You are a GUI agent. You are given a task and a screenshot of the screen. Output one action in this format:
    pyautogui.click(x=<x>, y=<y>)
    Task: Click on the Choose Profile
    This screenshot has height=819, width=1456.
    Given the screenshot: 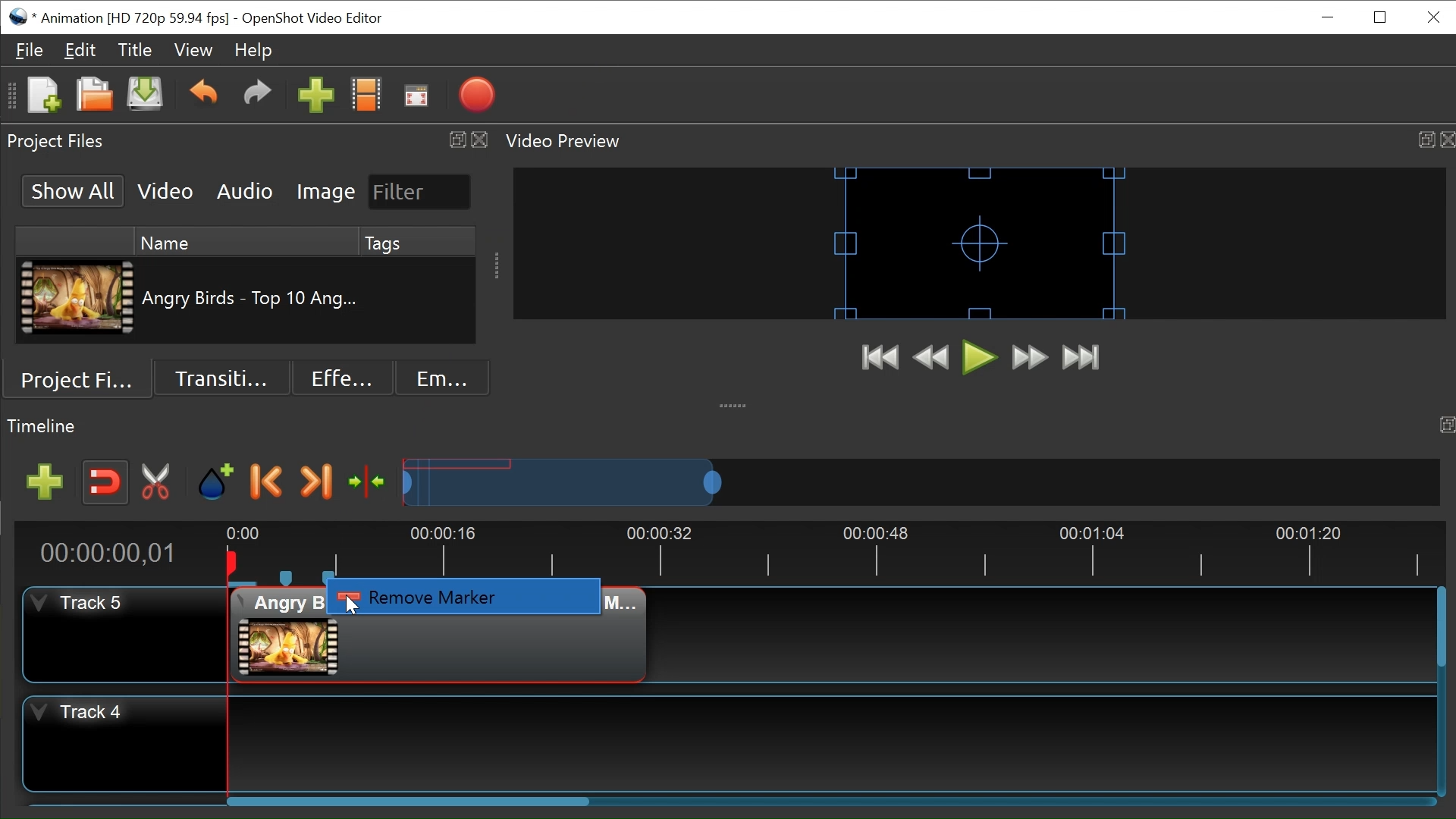 What is the action you would take?
    pyautogui.click(x=366, y=98)
    